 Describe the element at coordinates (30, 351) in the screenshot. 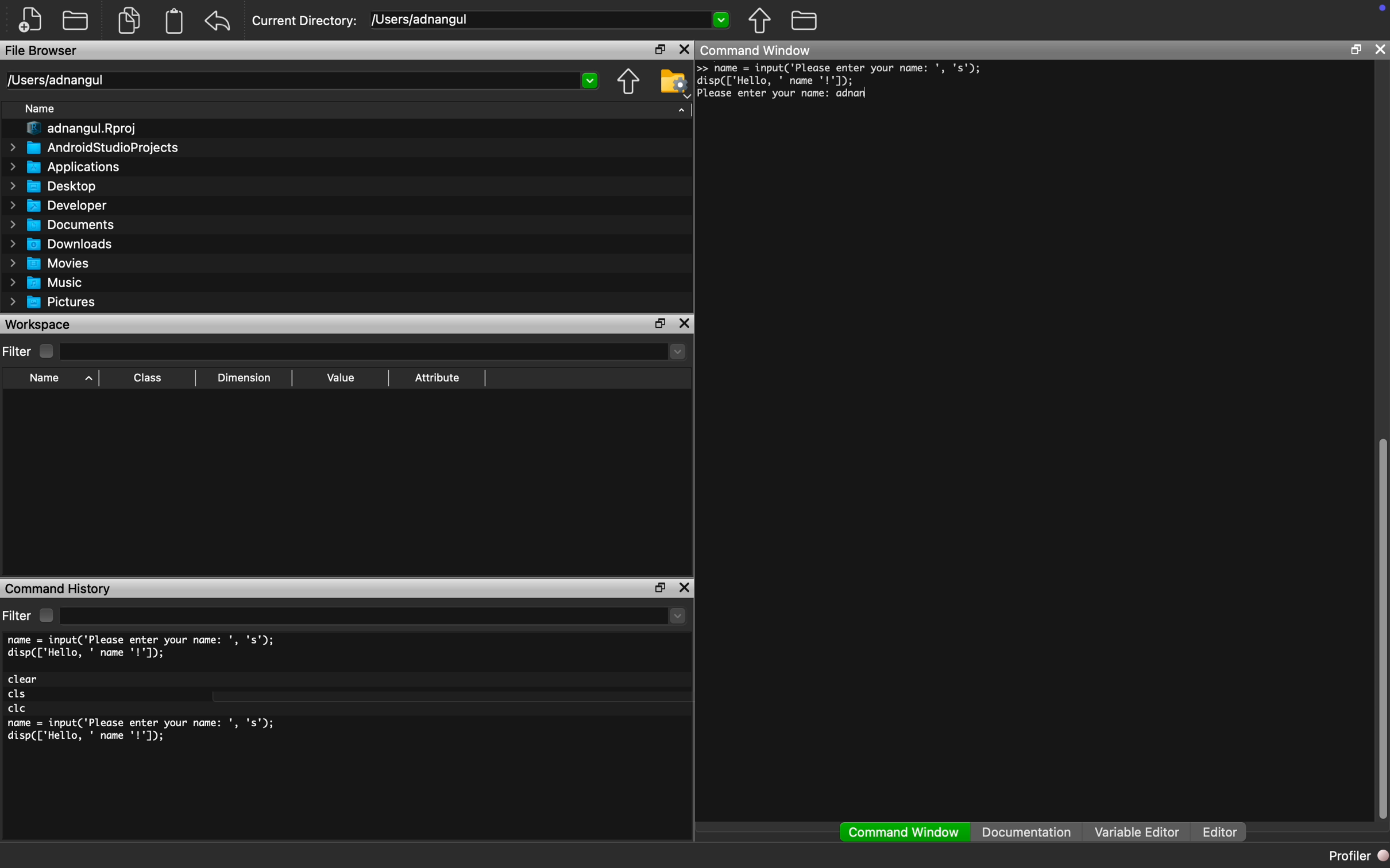

I see `Filter` at that location.